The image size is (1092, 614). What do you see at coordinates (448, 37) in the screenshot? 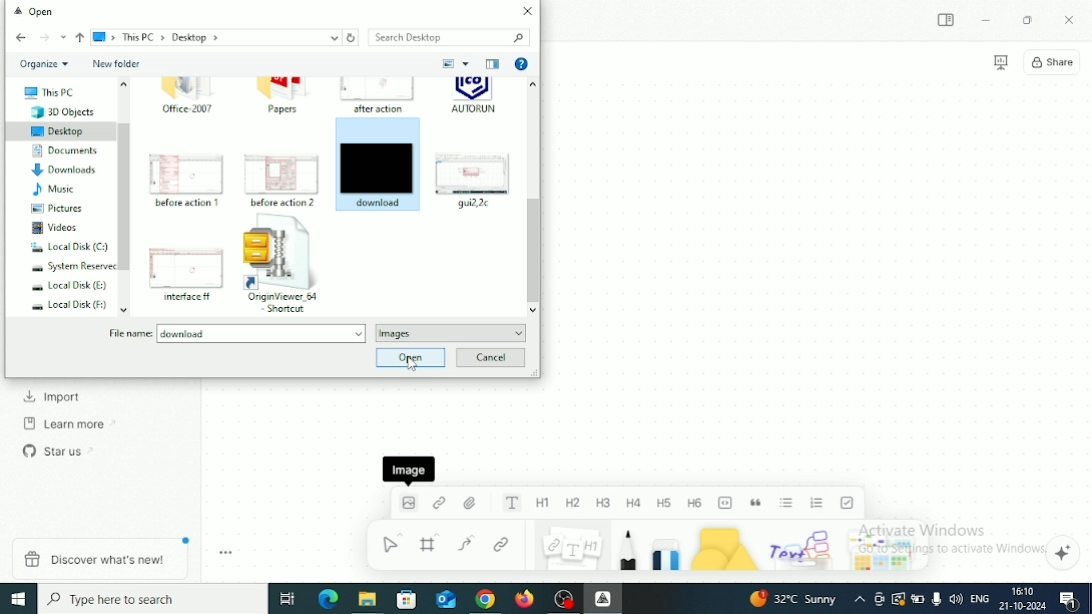
I see `Search Desktop` at bounding box center [448, 37].